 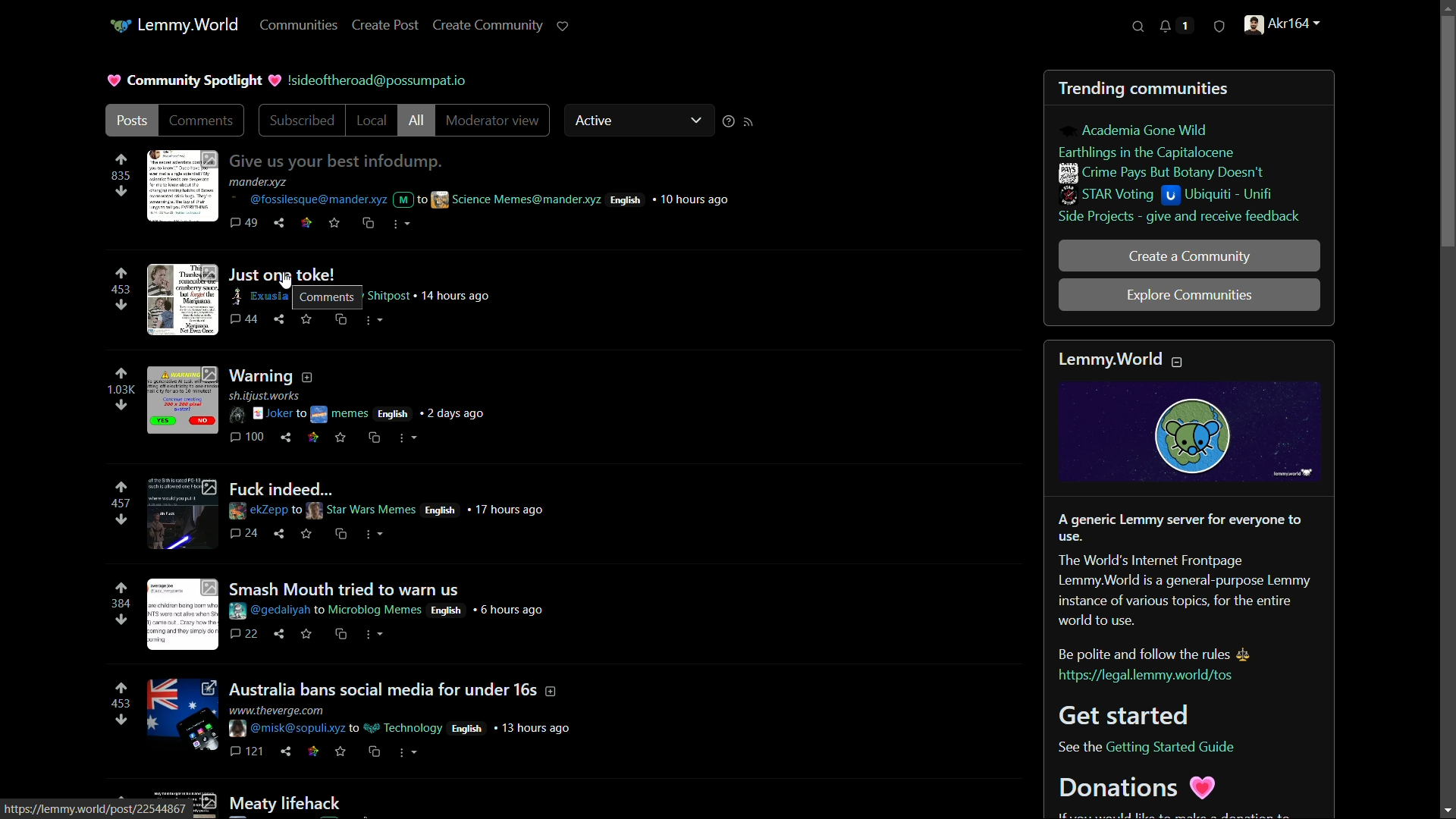 What do you see at coordinates (334, 223) in the screenshot?
I see `save` at bounding box center [334, 223].